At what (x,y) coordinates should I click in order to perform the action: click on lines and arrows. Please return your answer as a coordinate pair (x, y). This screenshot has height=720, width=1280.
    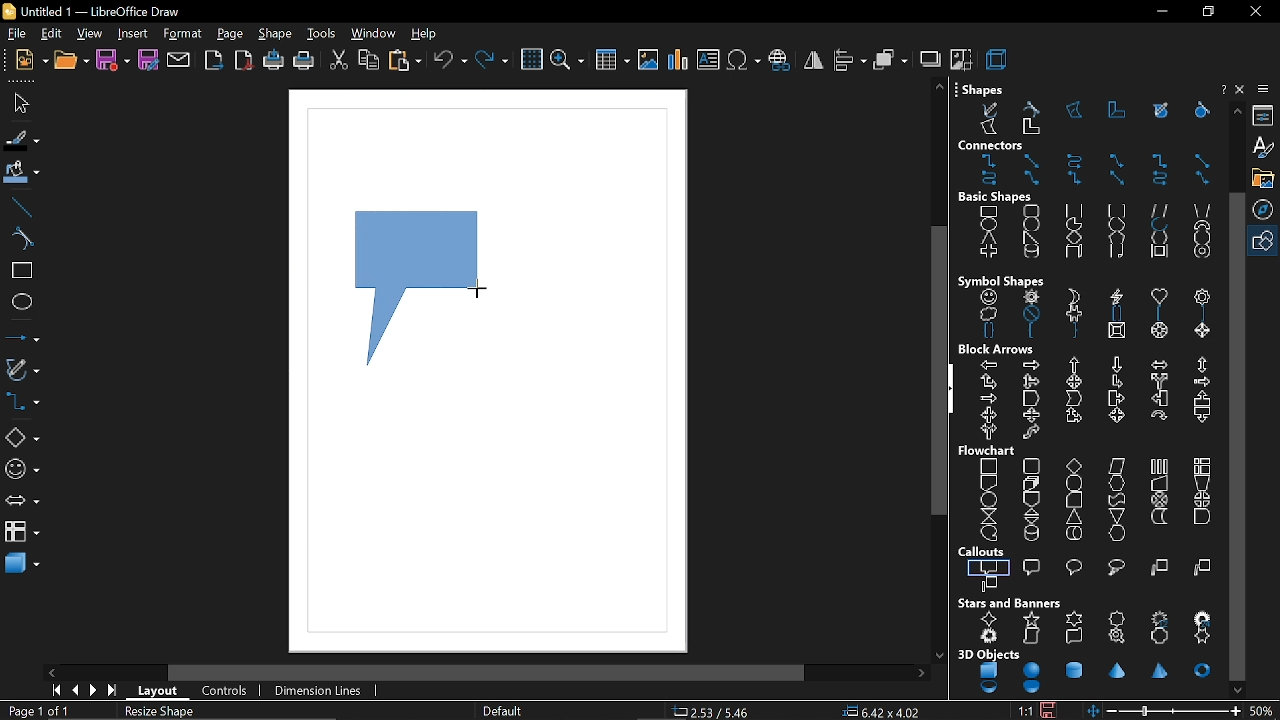
    Looking at the image, I should click on (20, 334).